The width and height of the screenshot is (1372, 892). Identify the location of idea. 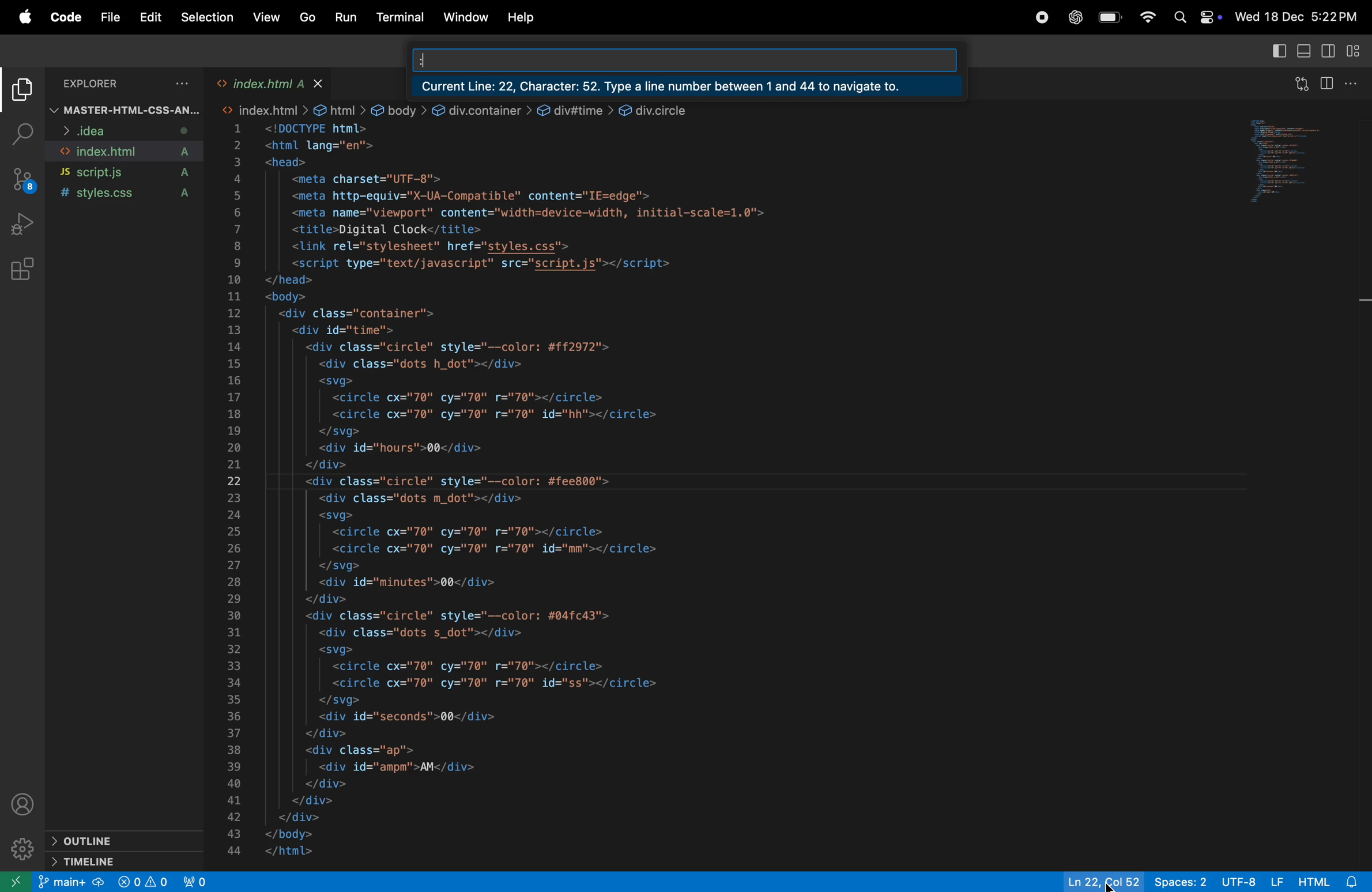
(119, 133).